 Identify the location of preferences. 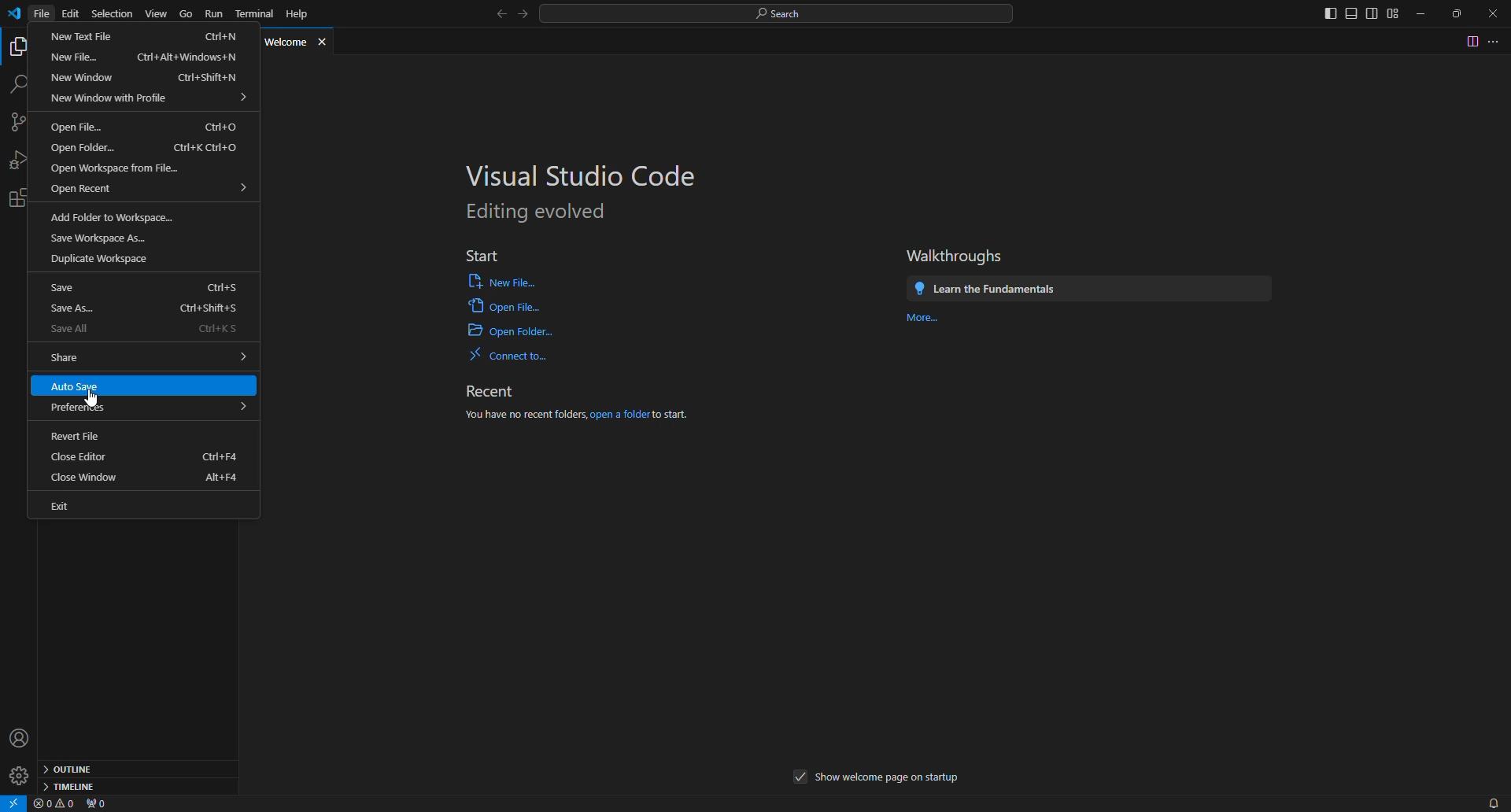
(78, 407).